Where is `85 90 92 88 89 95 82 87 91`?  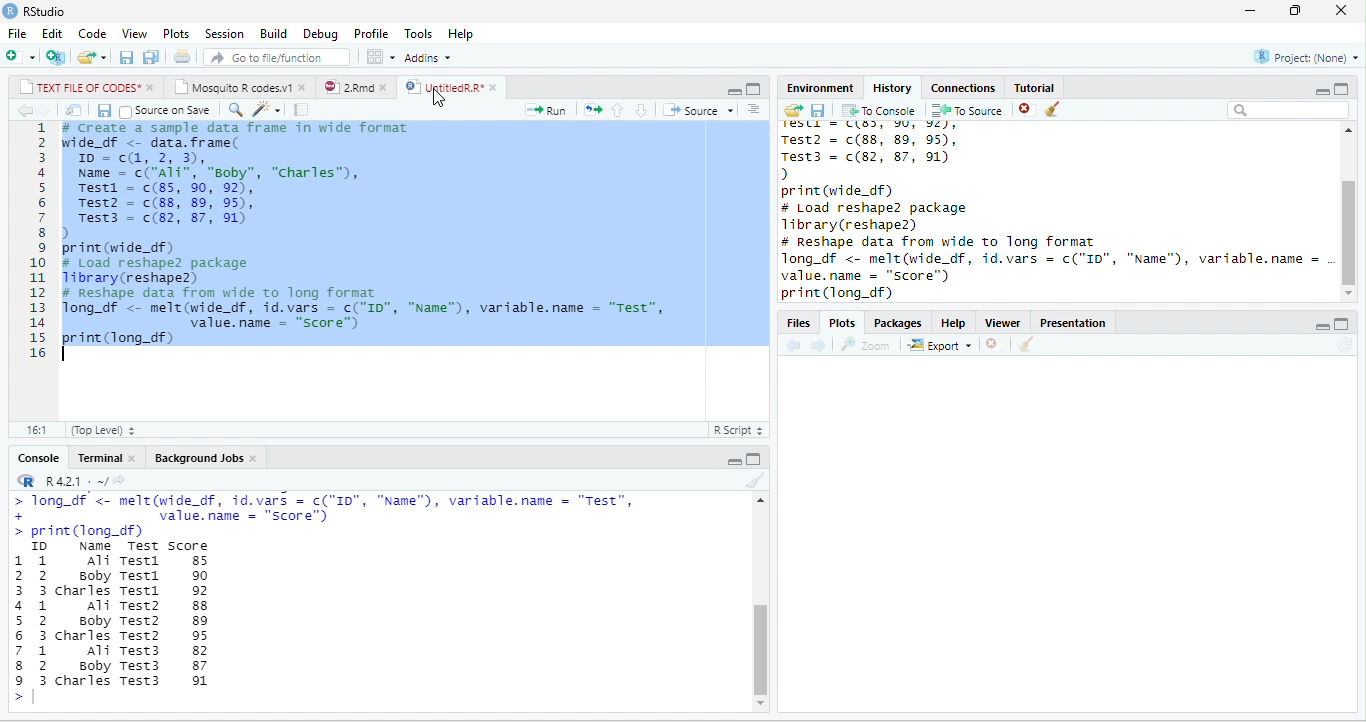 85 90 92 88 89 95 82 87 91 is located at coordinates (201, 621).